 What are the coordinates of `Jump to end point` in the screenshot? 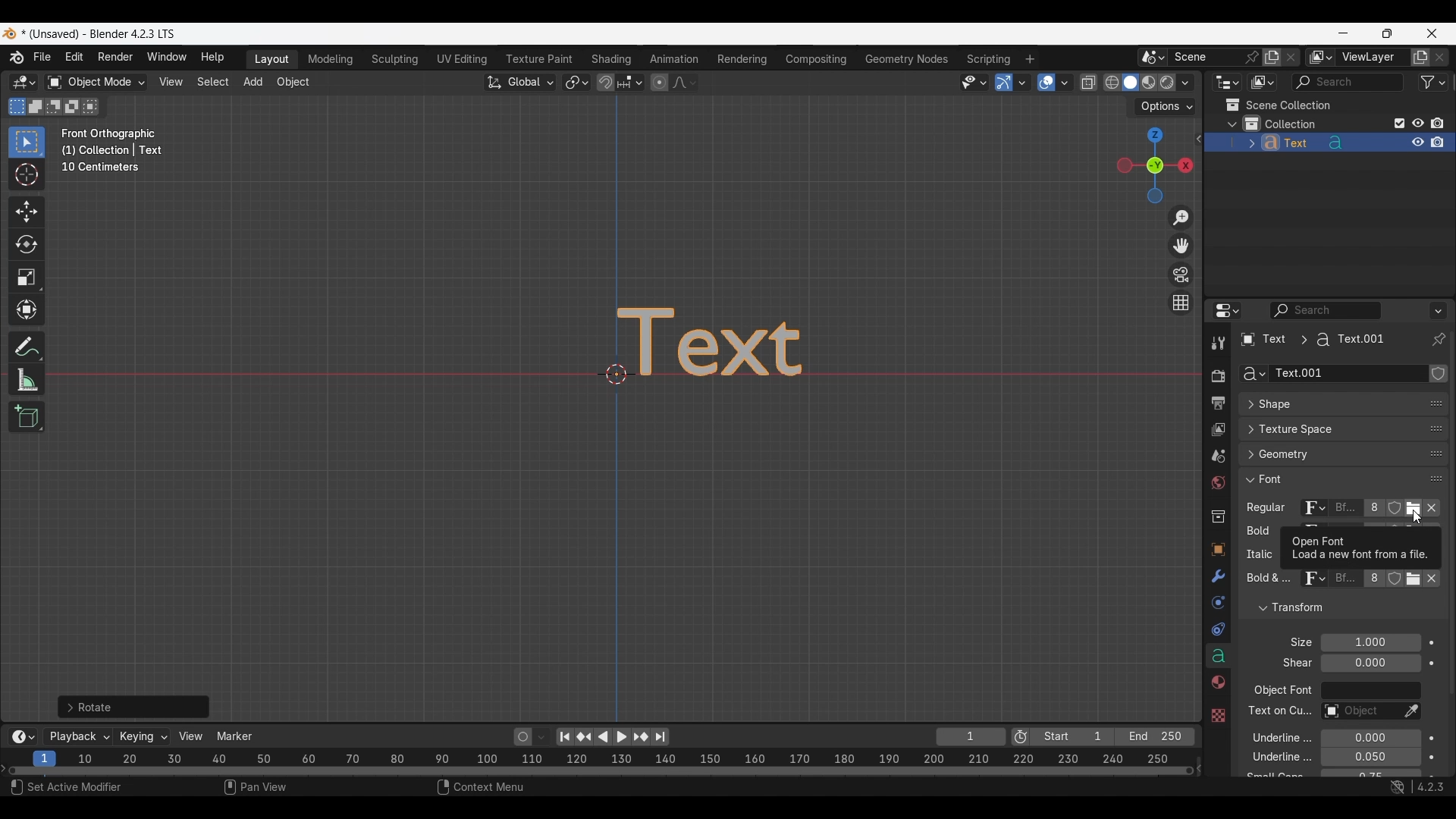 It's located at (661, 737).